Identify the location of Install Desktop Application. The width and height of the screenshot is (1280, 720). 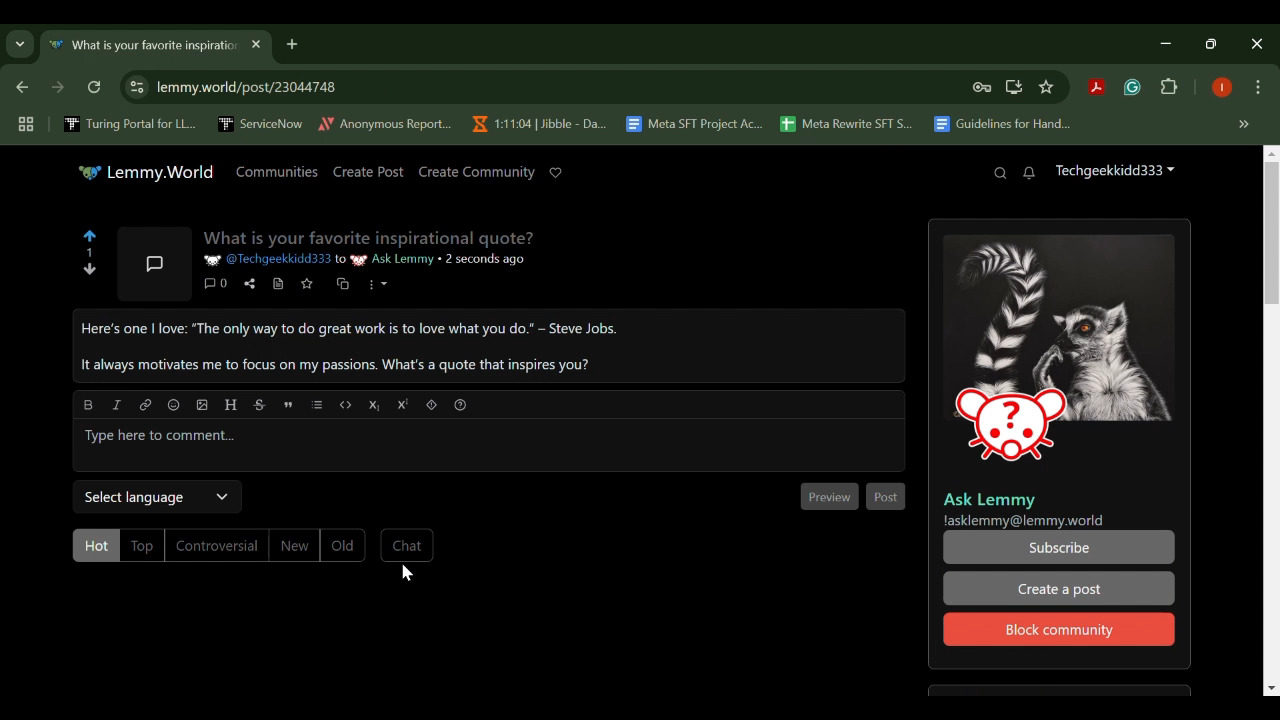
(1013, 87).